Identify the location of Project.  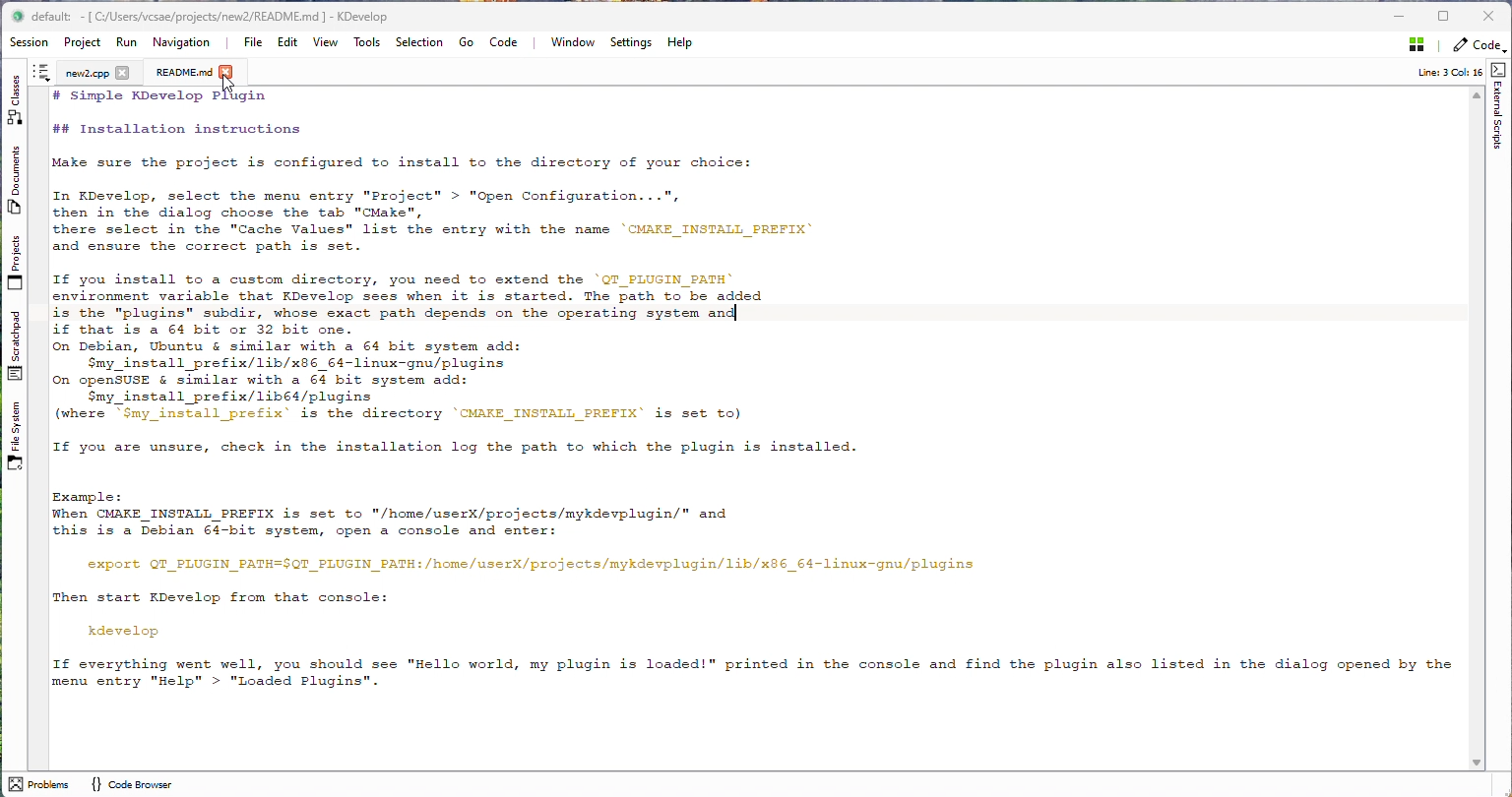
(83, 44).